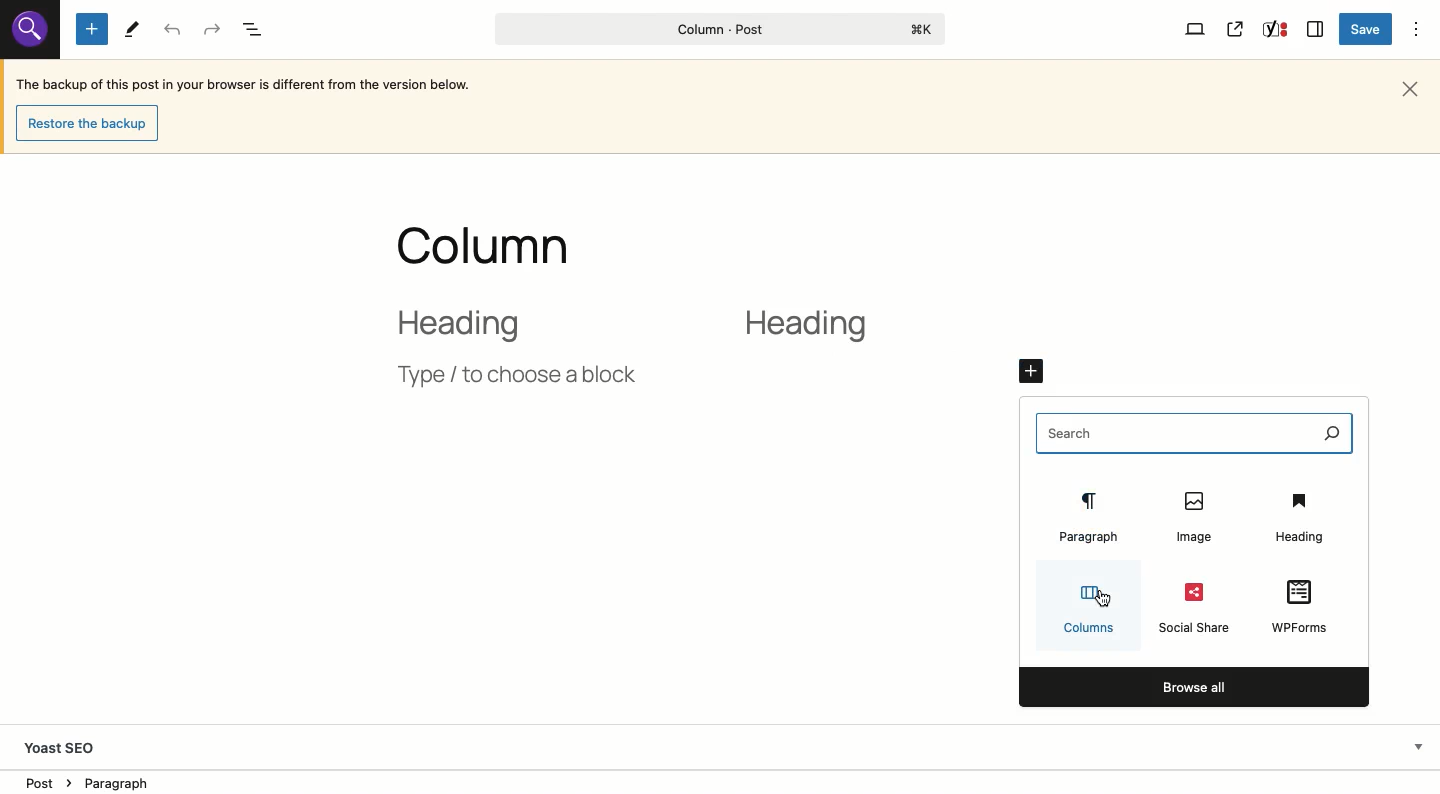 The height and width of the screenshot is (794, 1440). Describe the element at coordinates (1093, 606) in the screenshot. I see `Columns` at that location.